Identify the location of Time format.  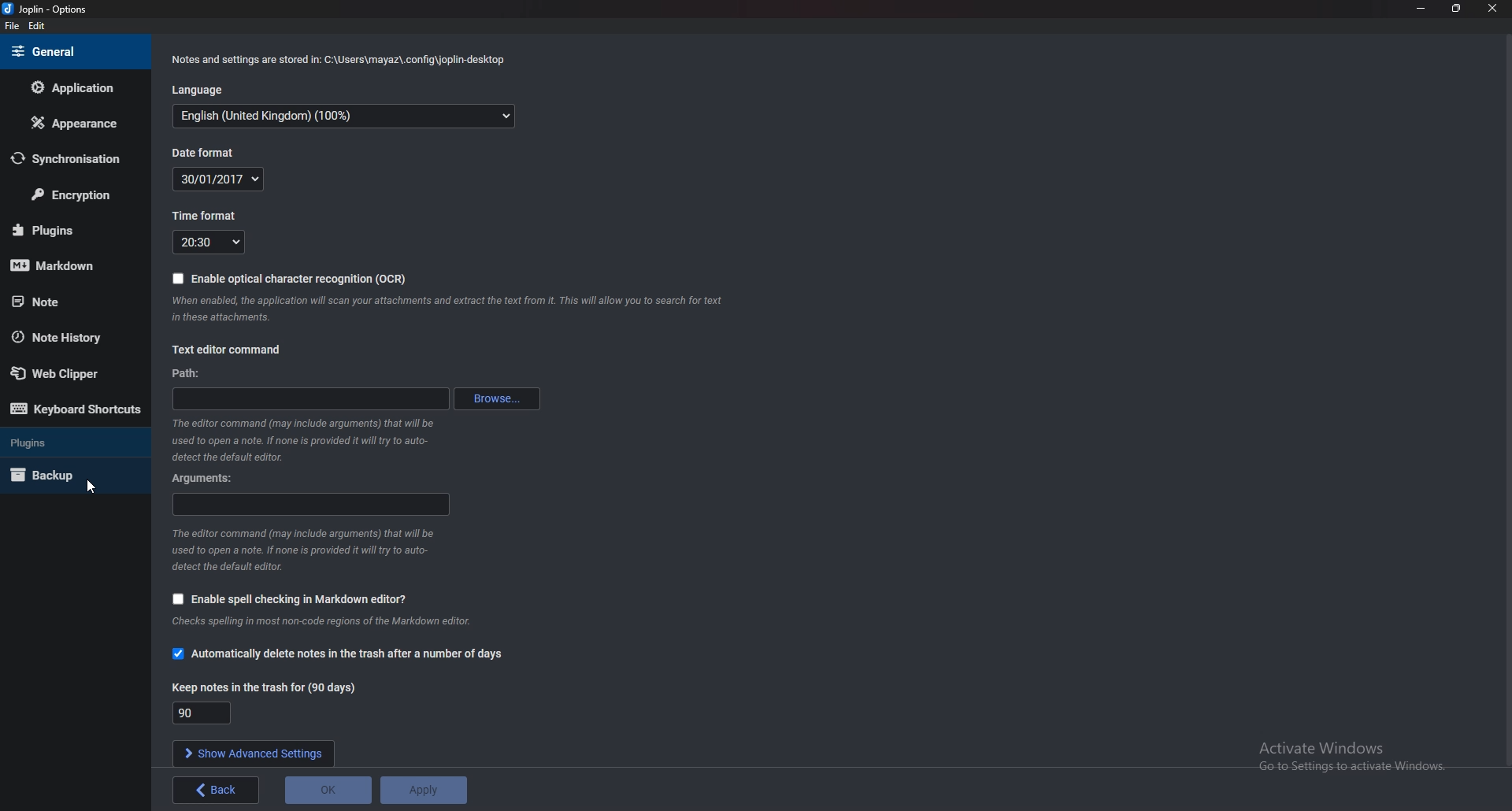
(207, 215).